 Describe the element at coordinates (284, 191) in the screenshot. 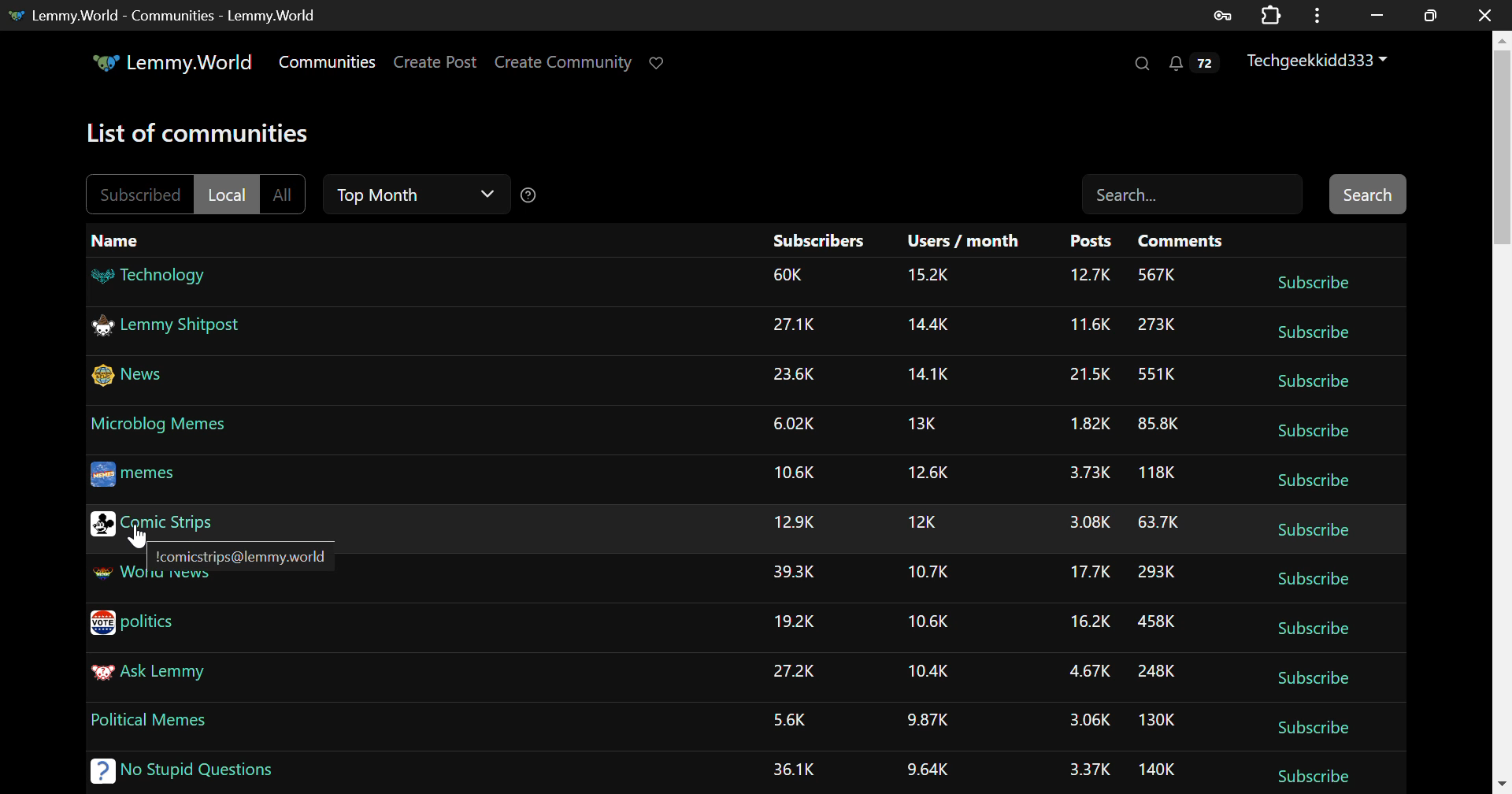

I see `All Filter Unselected` at that location.